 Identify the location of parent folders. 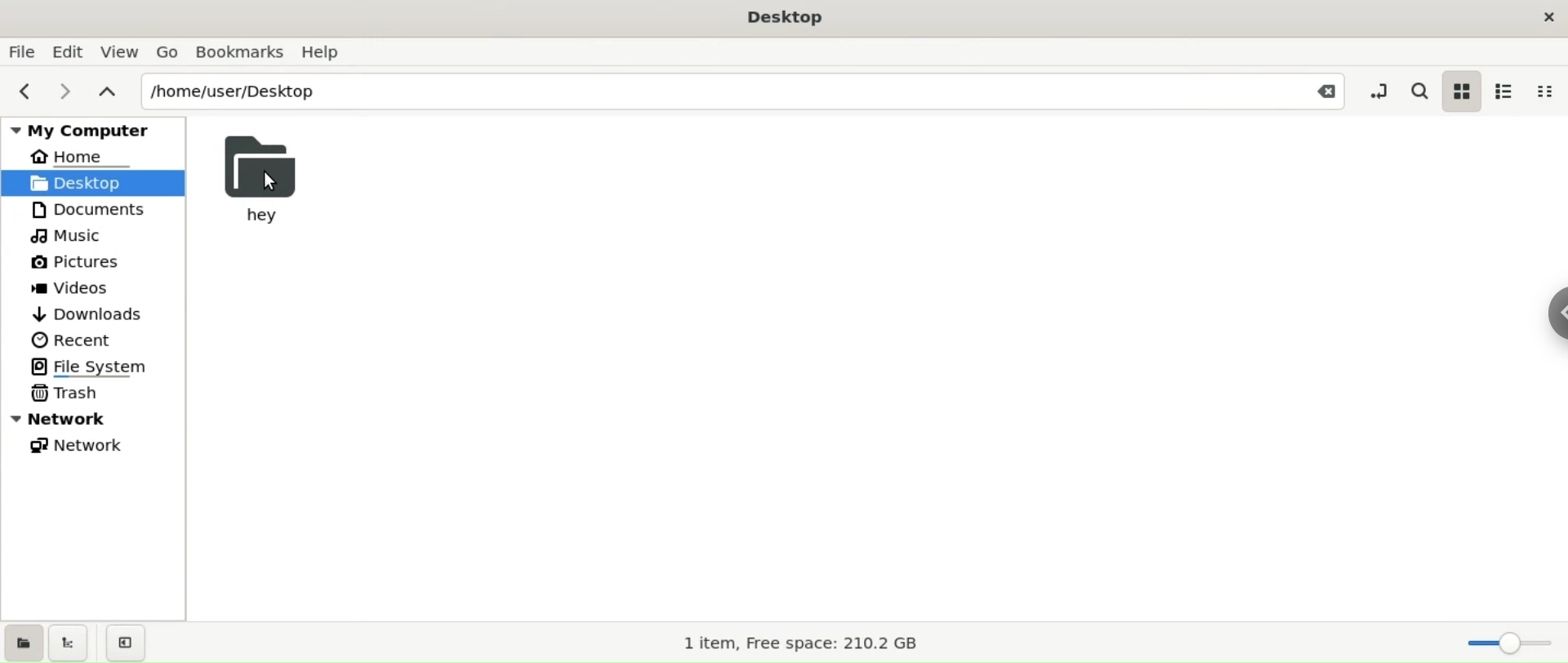
(106, 90).